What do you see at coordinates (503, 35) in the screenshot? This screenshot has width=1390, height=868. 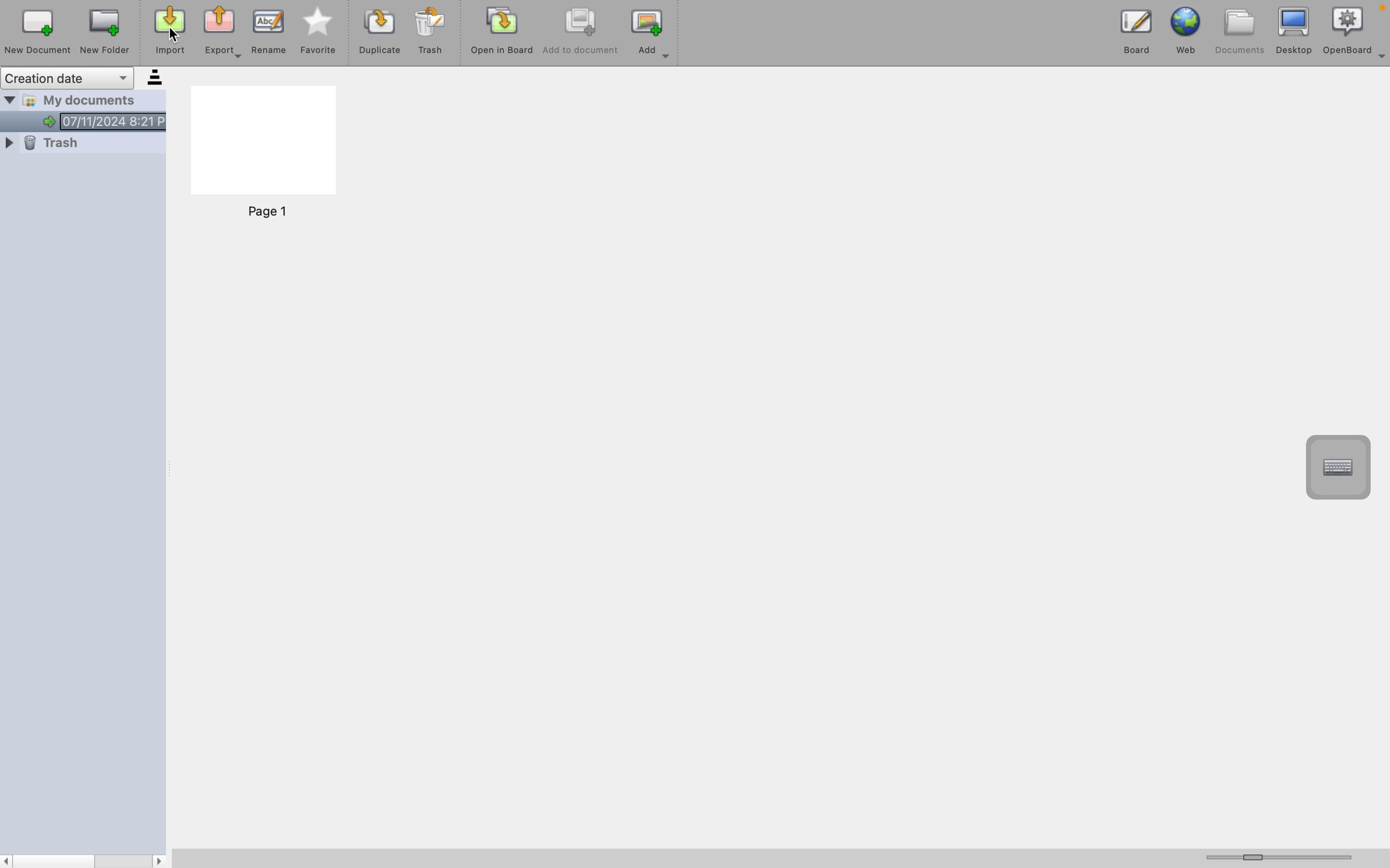 I see `open in board` at bounding box center [503, 35].